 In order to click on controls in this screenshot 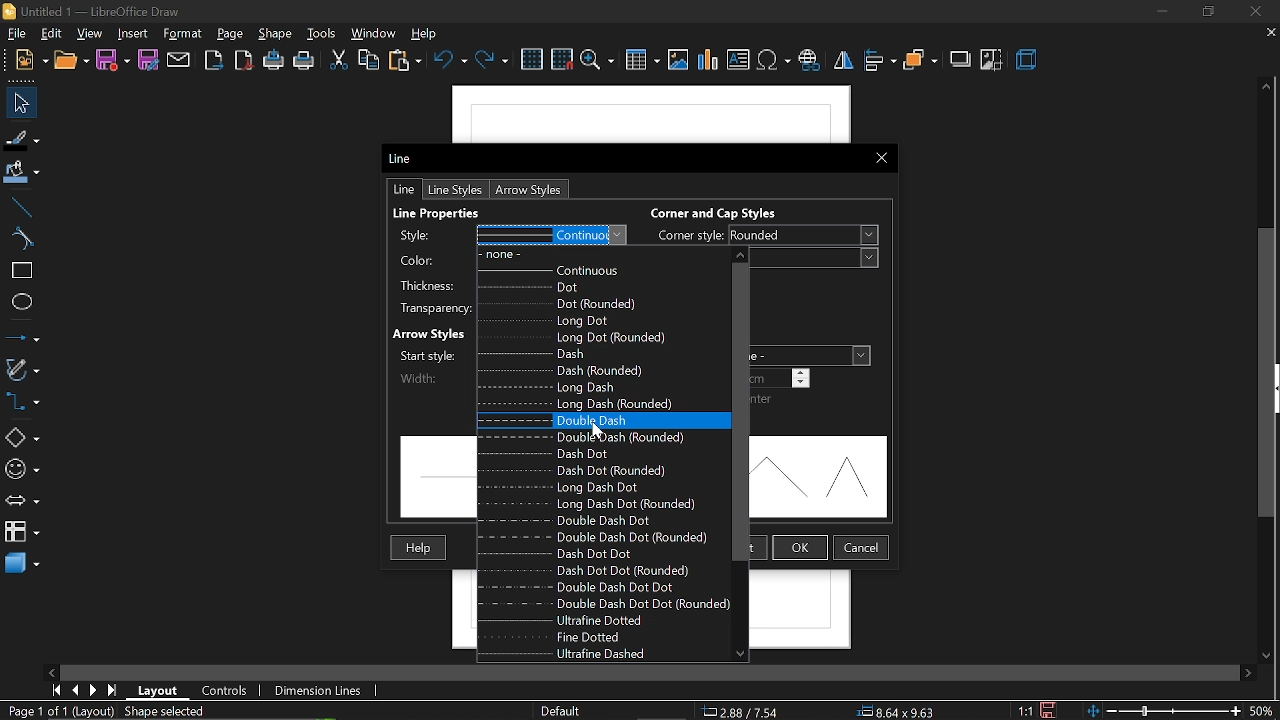, I will do `click(223, 690)`.